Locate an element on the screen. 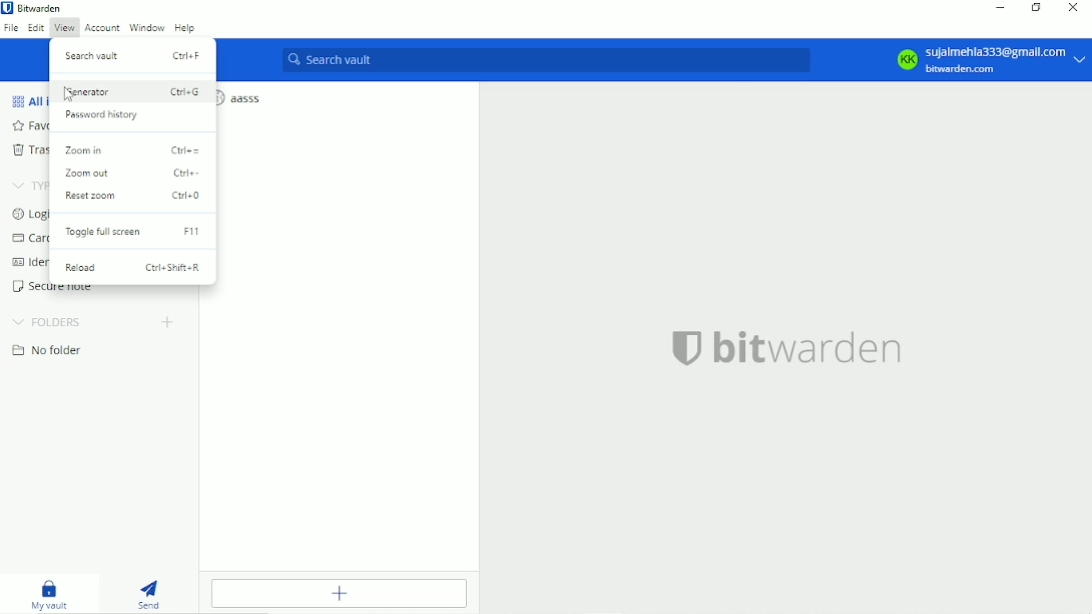 This screenshot has width=1092, height=614. Restore down is located at coordinates (1036, 9).